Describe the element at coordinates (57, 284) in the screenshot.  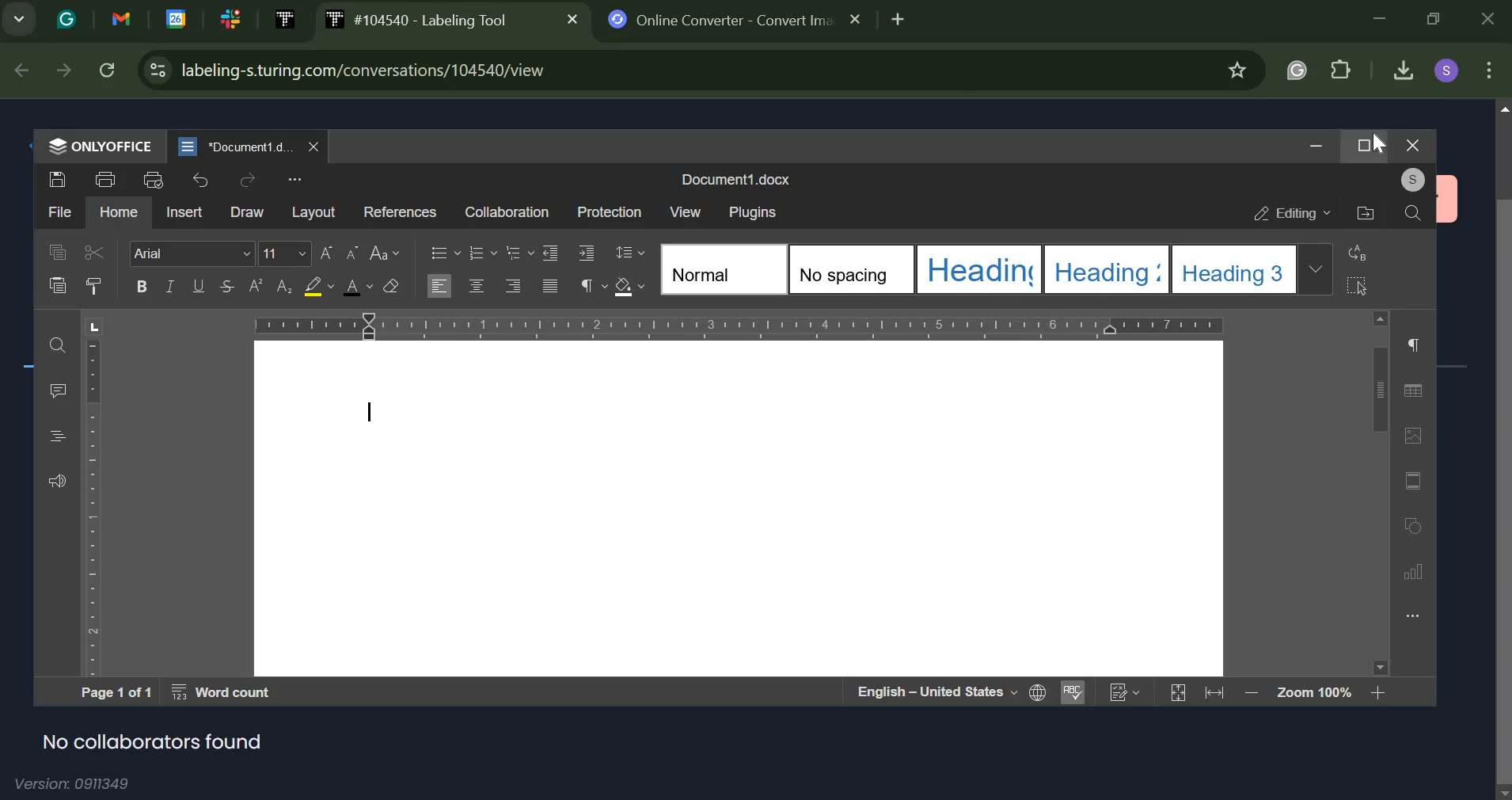
I see `paste` at that location.